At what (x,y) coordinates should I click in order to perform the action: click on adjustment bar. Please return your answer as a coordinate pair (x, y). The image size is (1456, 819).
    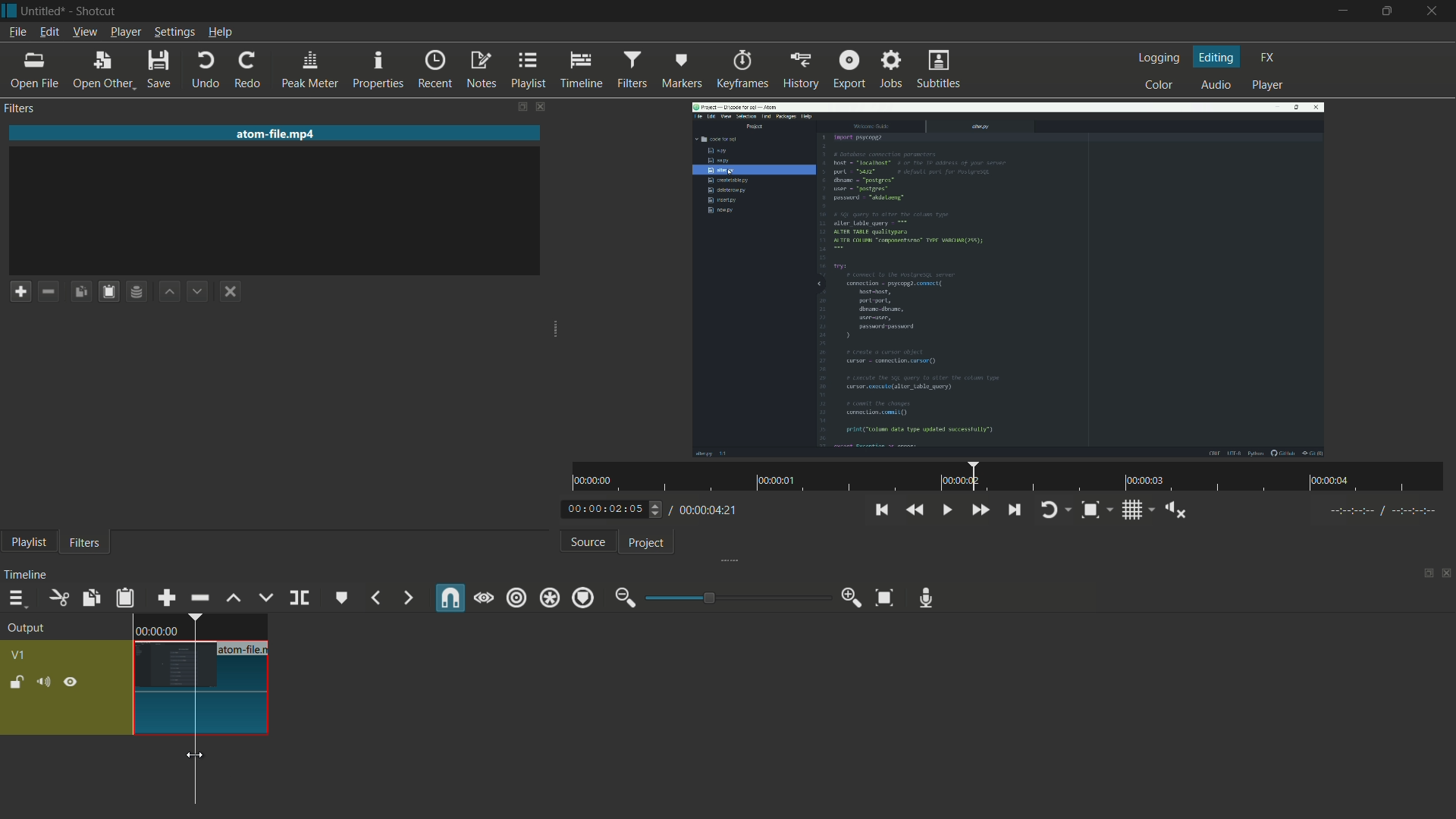
    Looking at the image, I should click on (736, 598).